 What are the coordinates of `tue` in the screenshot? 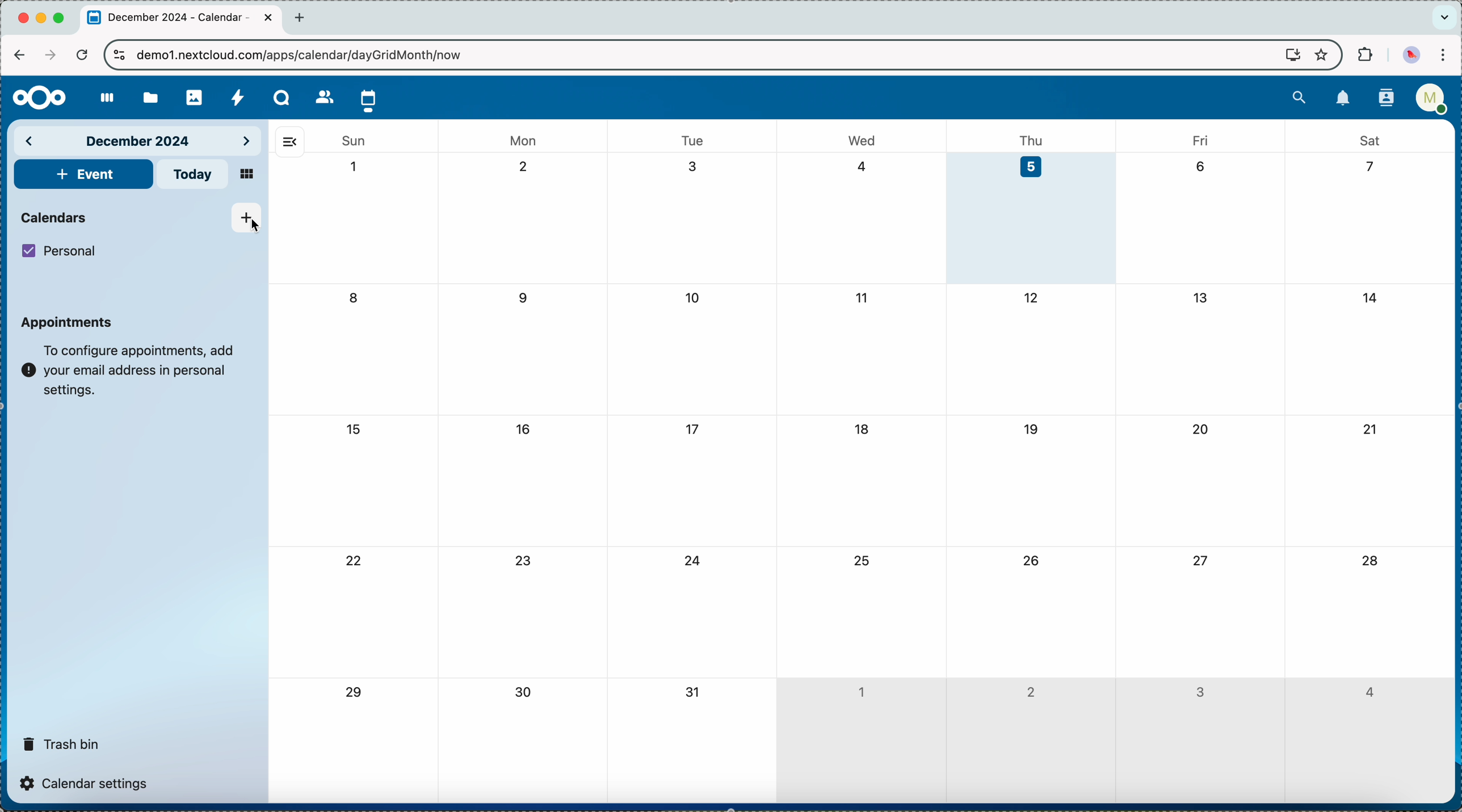 It's located at (692, 140).